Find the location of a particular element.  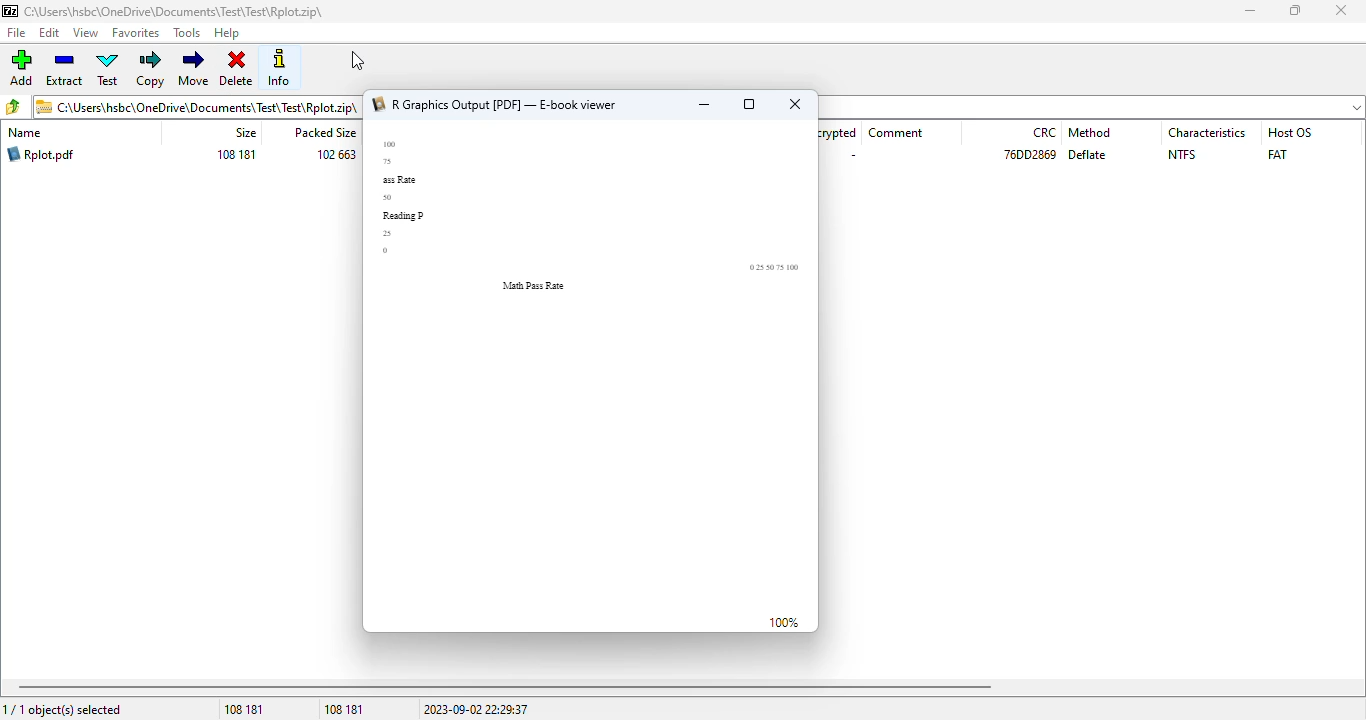

2023-09-02 22:29:37 is located at coordinates (476, 709).